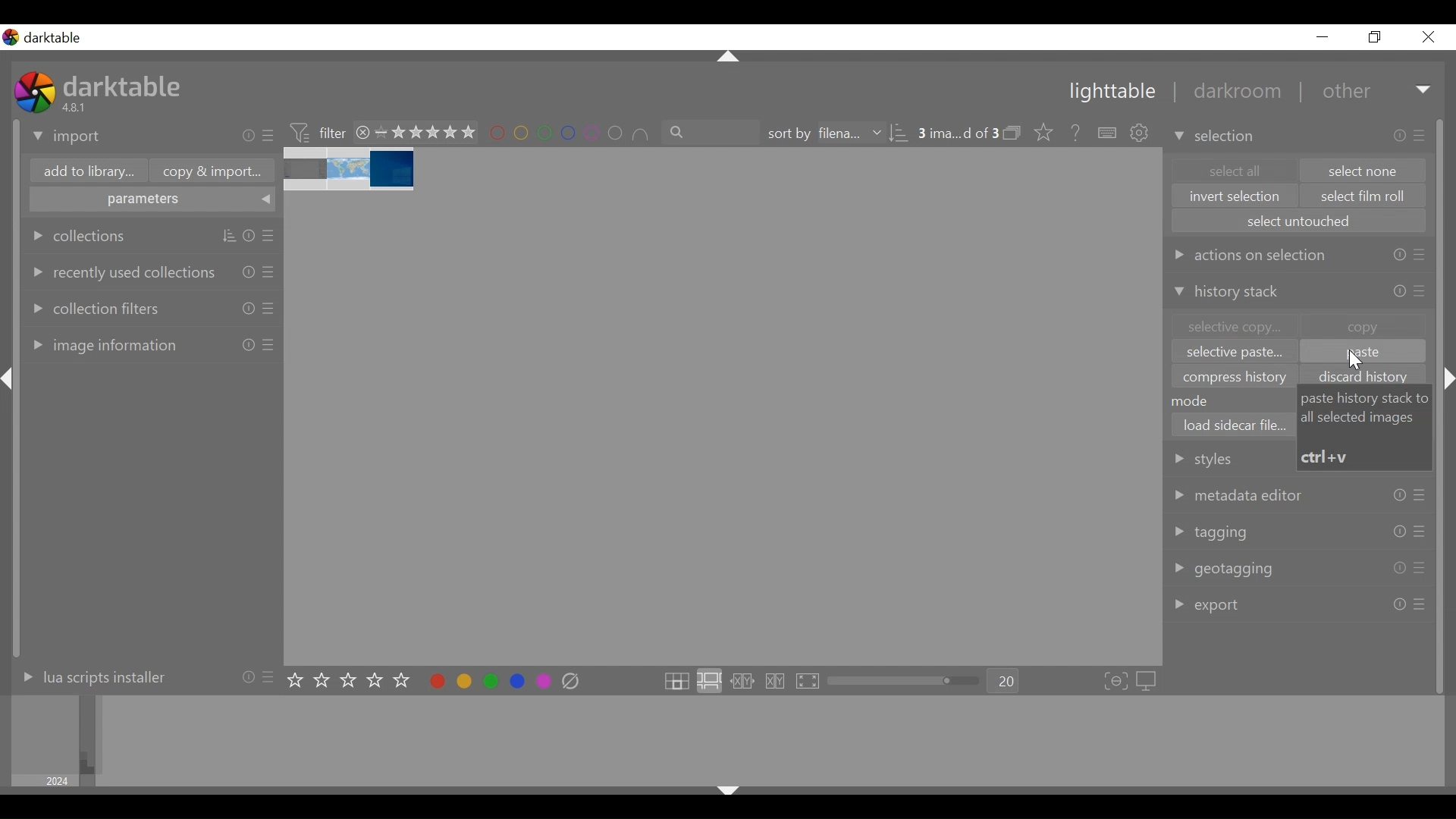 The image size is (1456, 819). I want to click on paste history stack to
all selected images, so click(1367, 408).